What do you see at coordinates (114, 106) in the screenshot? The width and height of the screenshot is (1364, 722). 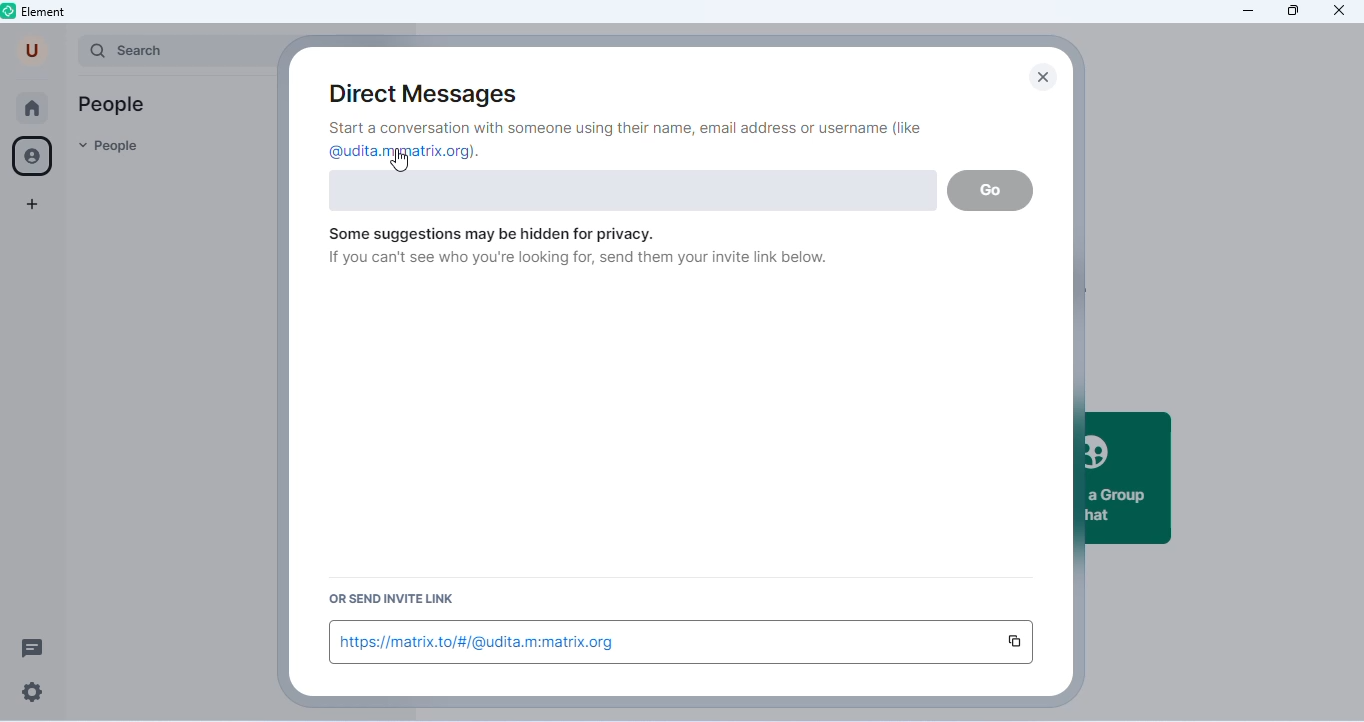 I see `people` at bounding box center [114, 106].